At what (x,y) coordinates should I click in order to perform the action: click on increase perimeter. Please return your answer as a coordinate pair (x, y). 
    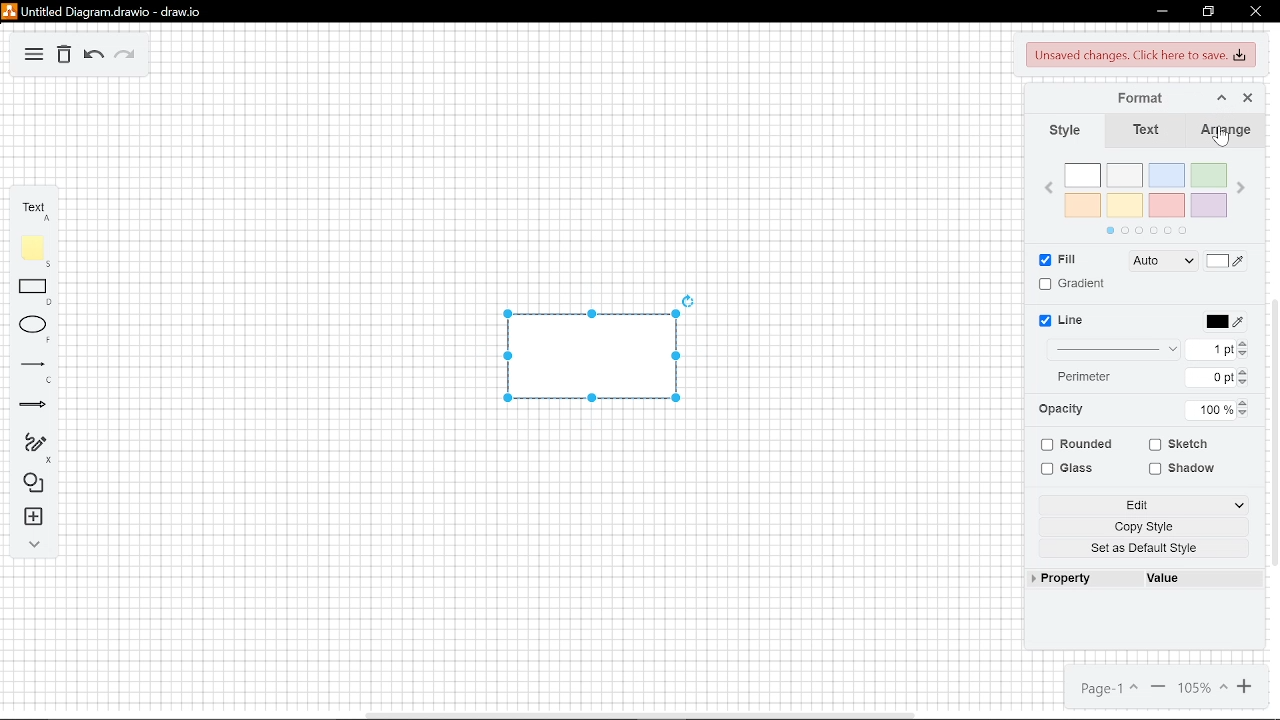
    Looking at the image, I should click on (1245, 372).